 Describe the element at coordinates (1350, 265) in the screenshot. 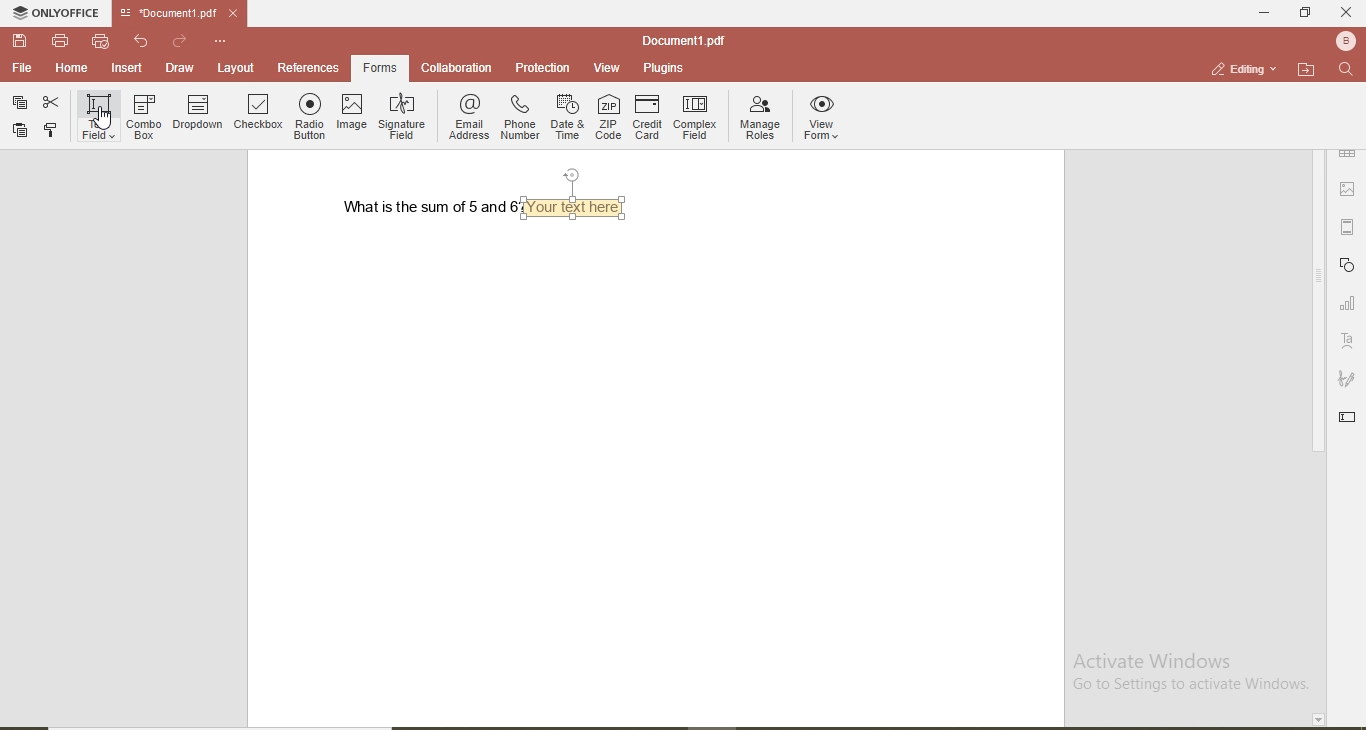

I see `shapes` at that location.